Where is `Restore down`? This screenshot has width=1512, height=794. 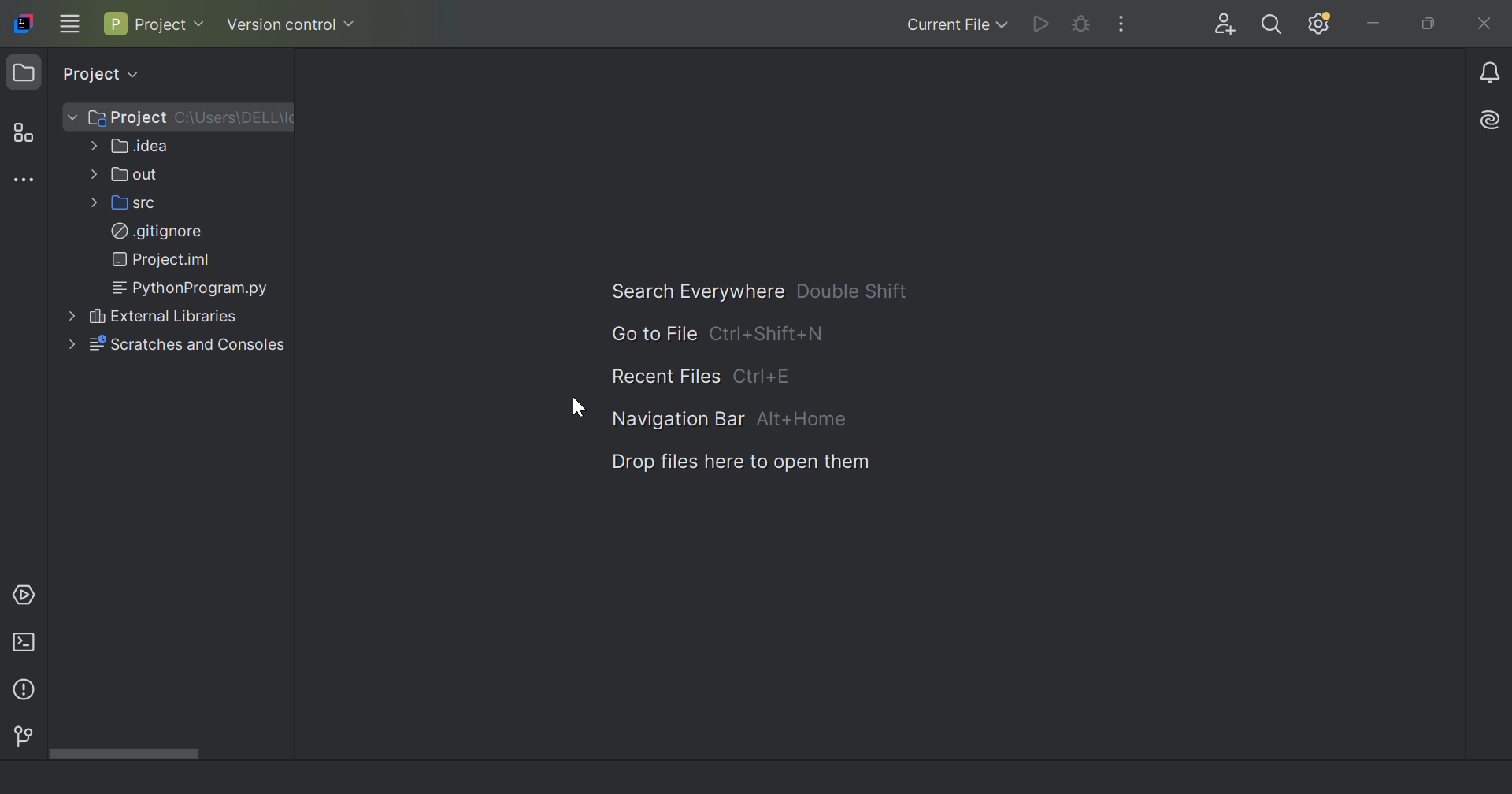 Restore down is located at coordinates (1426, 25).